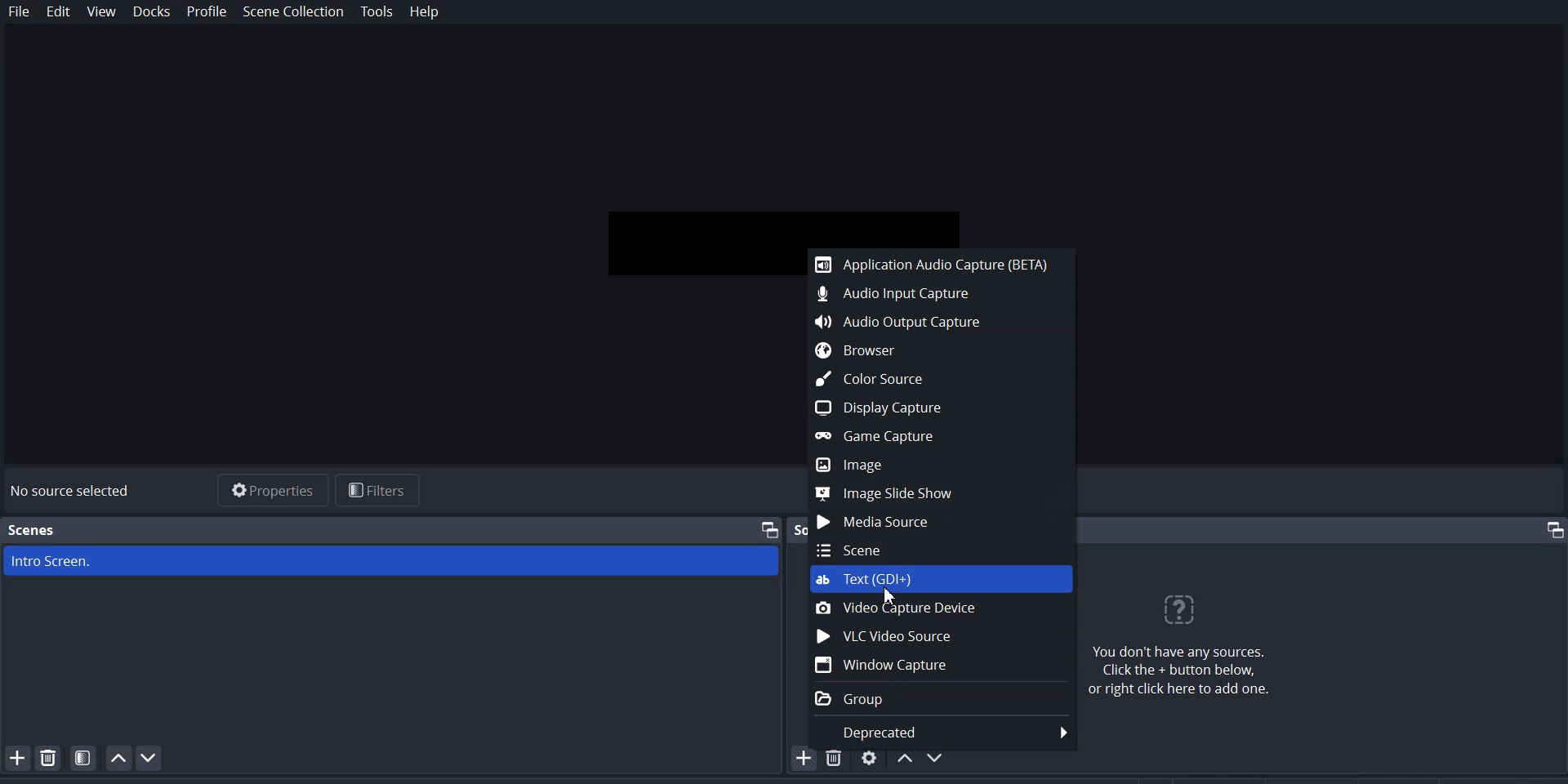 This screenshot has width=1568, height=784. What do you see at coordinates (940, 697) in the screenshot?
I see `Group ` at bounding box center [940, 697].